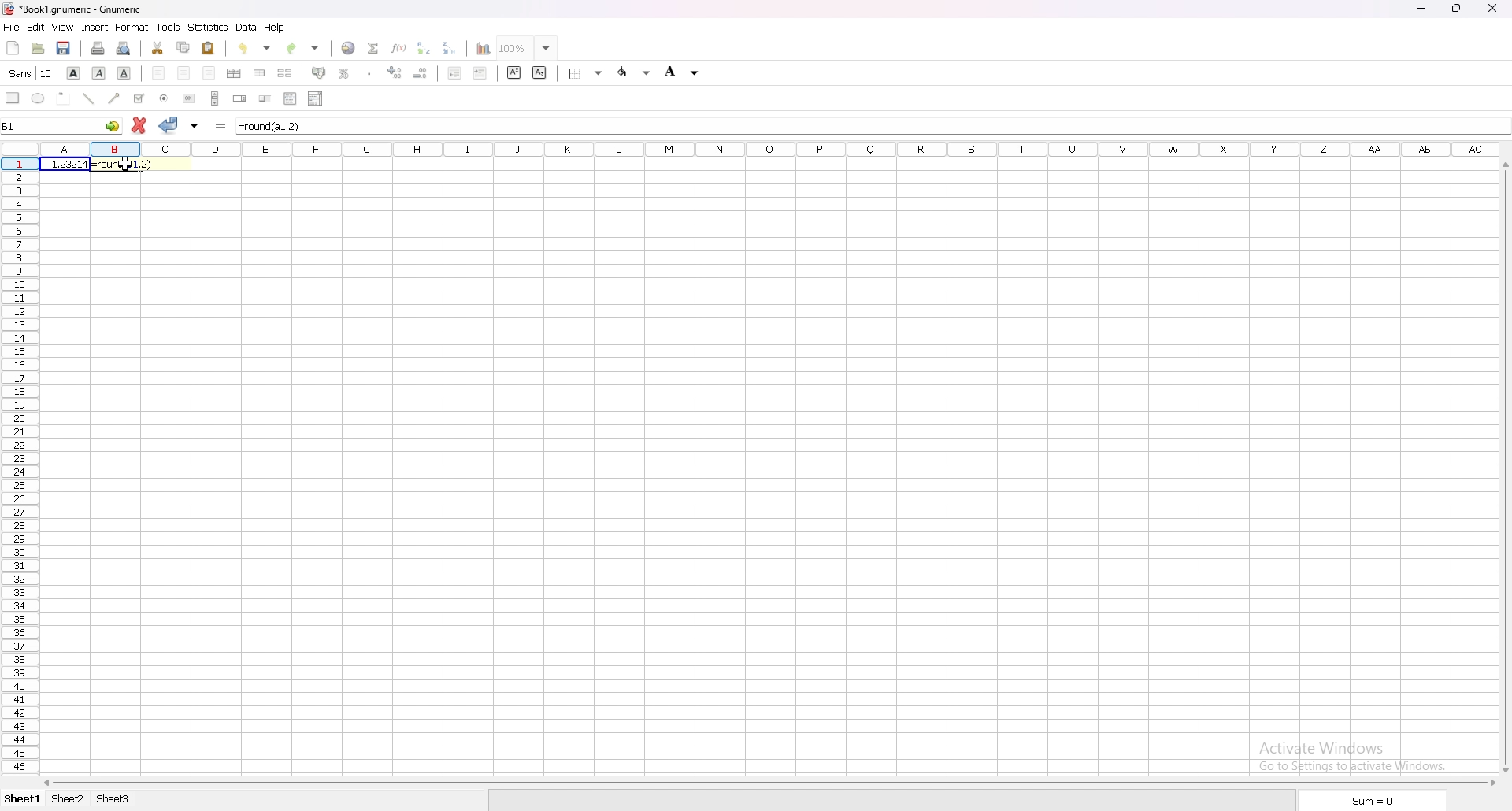 The width and height of the screenshot is (1512, 811). Describe the element at coordinates (1422, 7) in the screenshot. I see `minimize` at that location.